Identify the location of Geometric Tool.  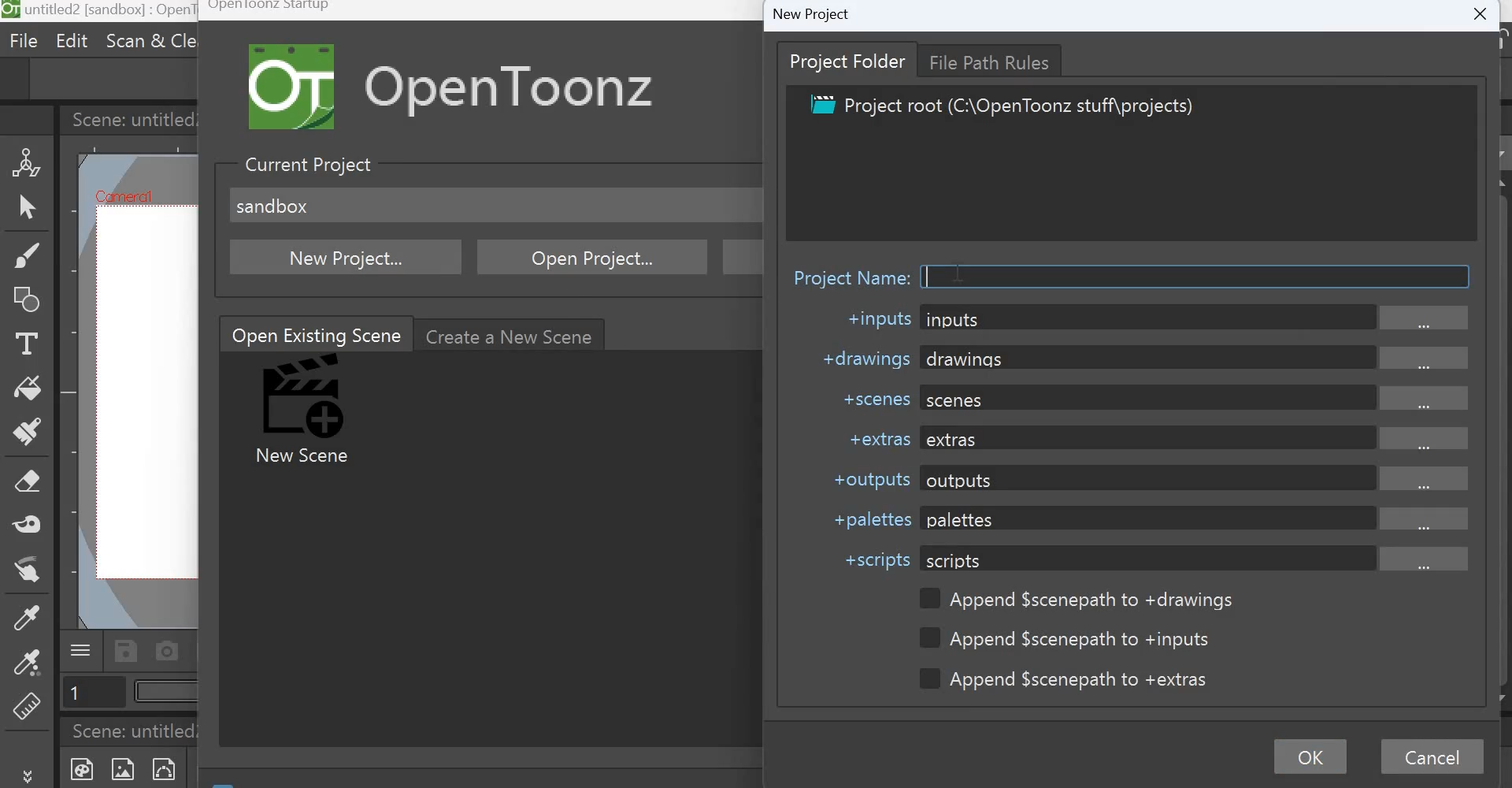
(29, 300).